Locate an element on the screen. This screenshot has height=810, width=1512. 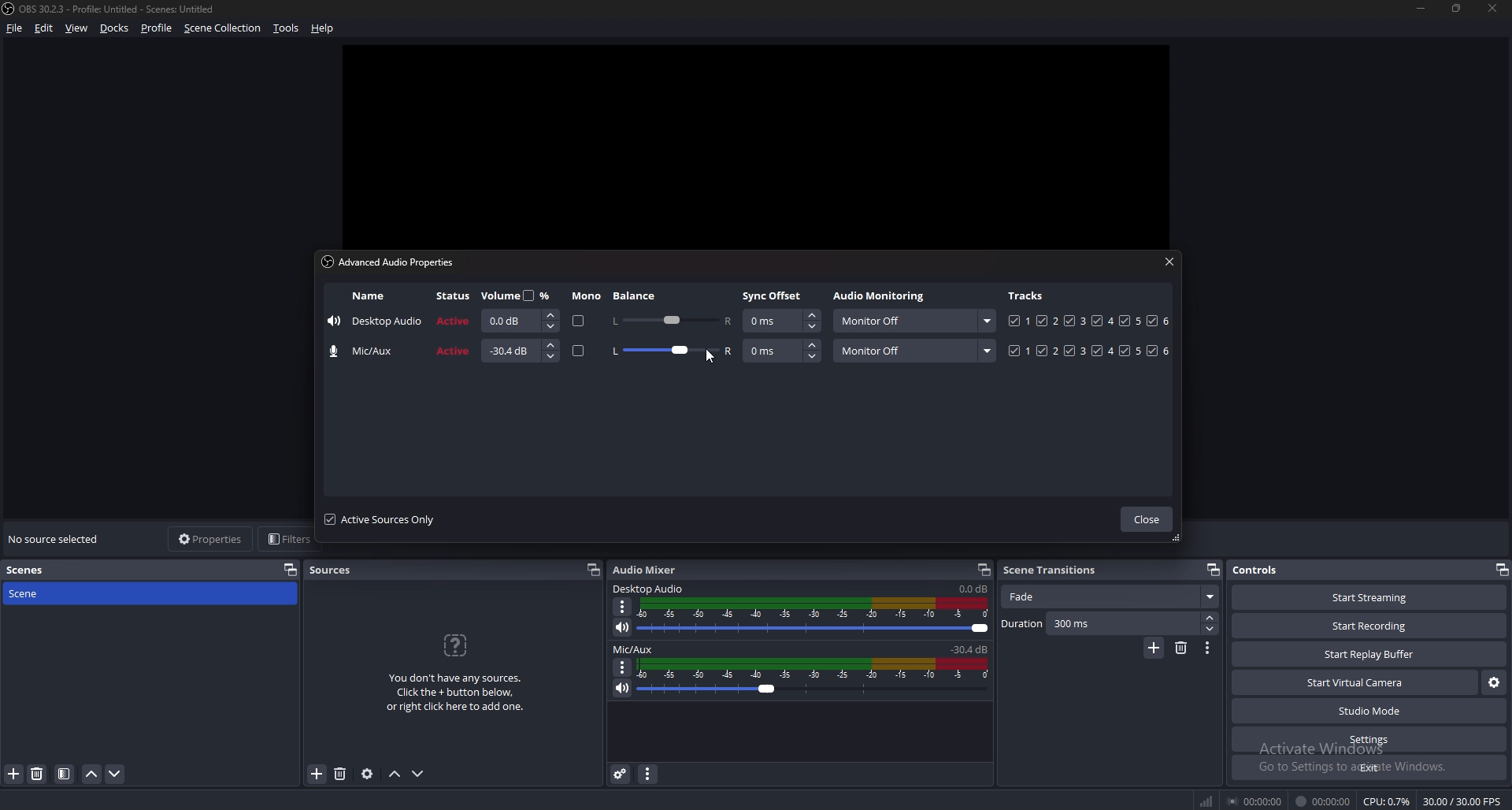
30.00/30.00 FPS is located at coordinates (1462, 801).